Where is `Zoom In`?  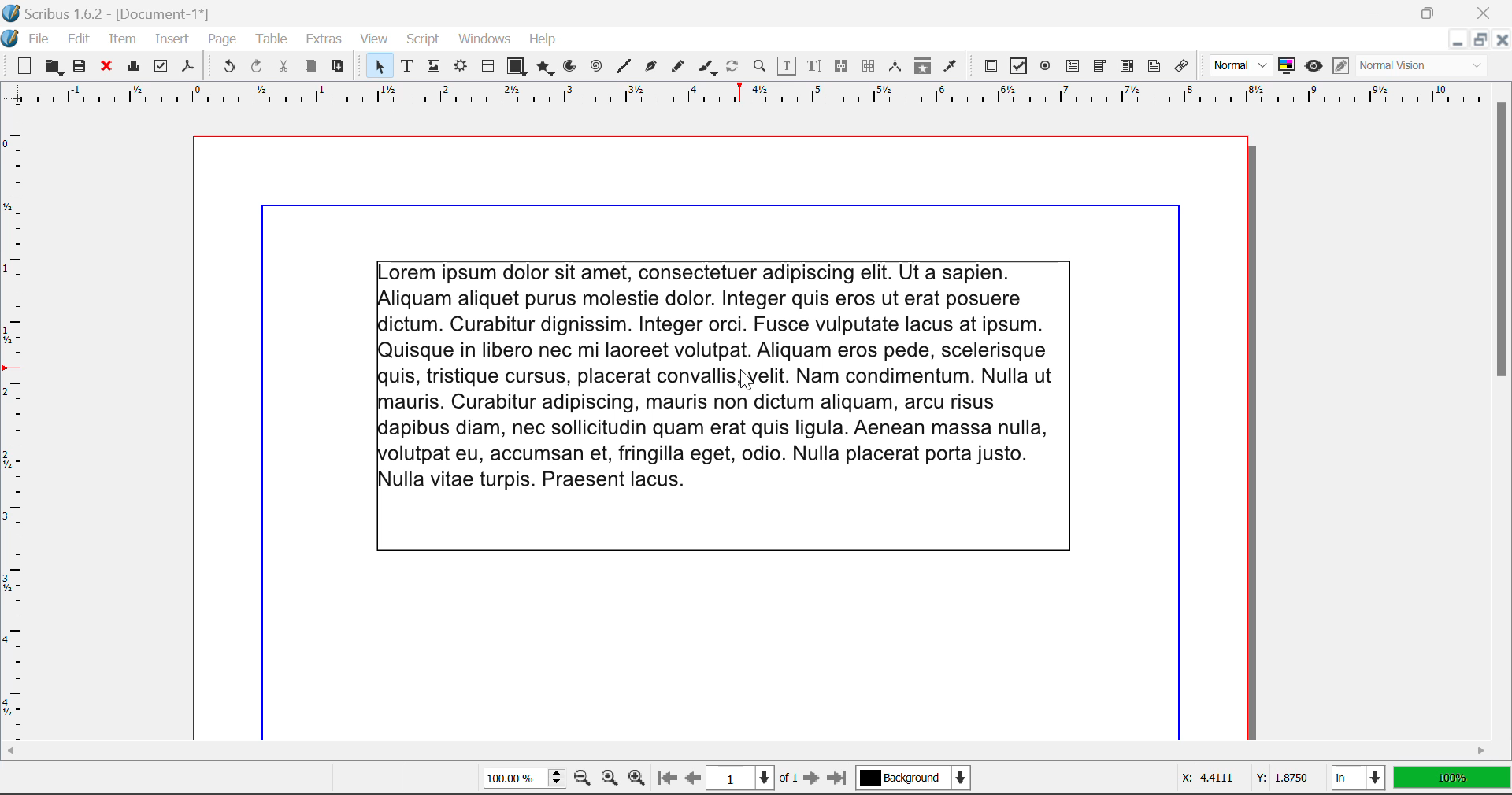 Zoom In is located at coordinates (637, 780).